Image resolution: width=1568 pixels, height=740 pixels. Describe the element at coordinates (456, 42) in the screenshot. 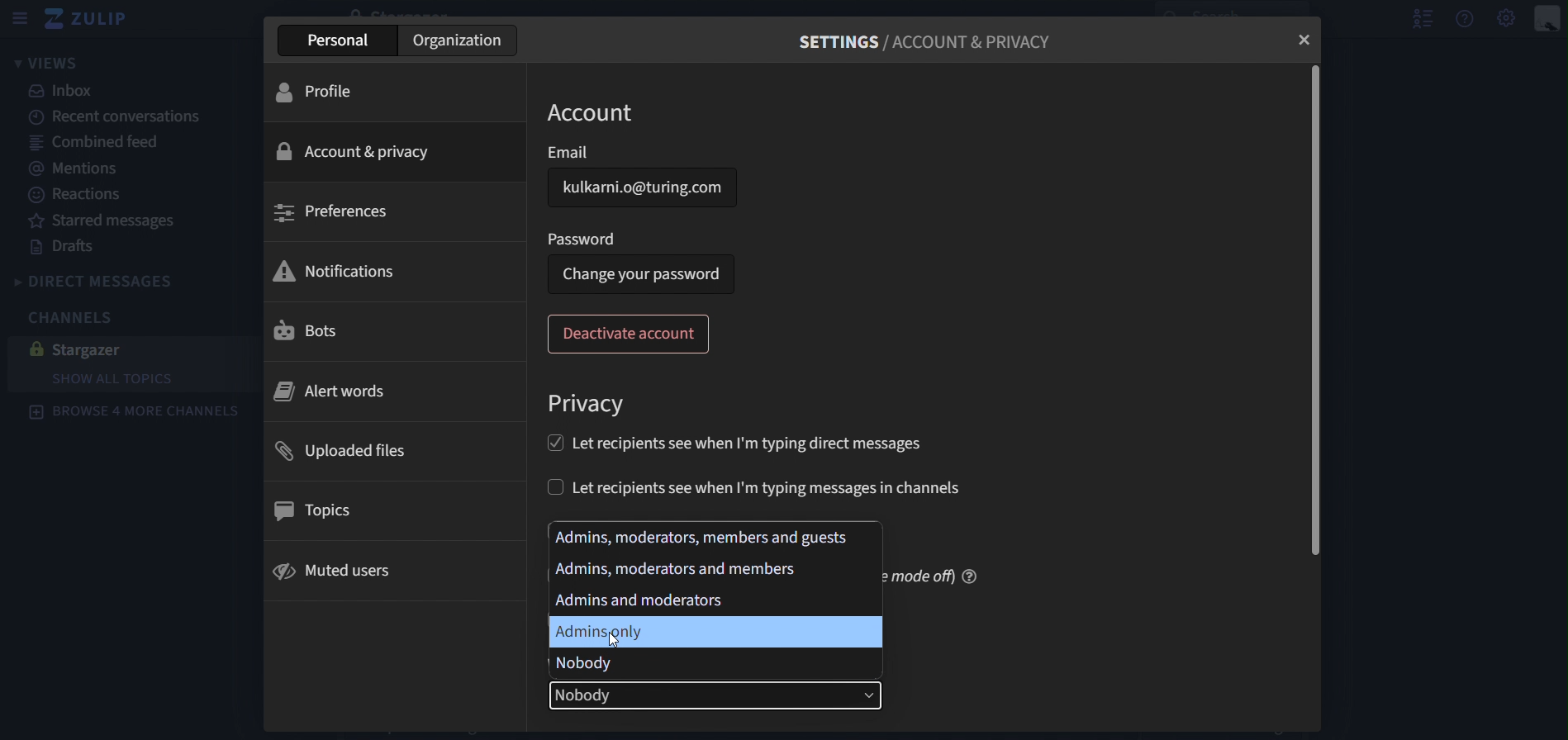

I see `organization` at that location.